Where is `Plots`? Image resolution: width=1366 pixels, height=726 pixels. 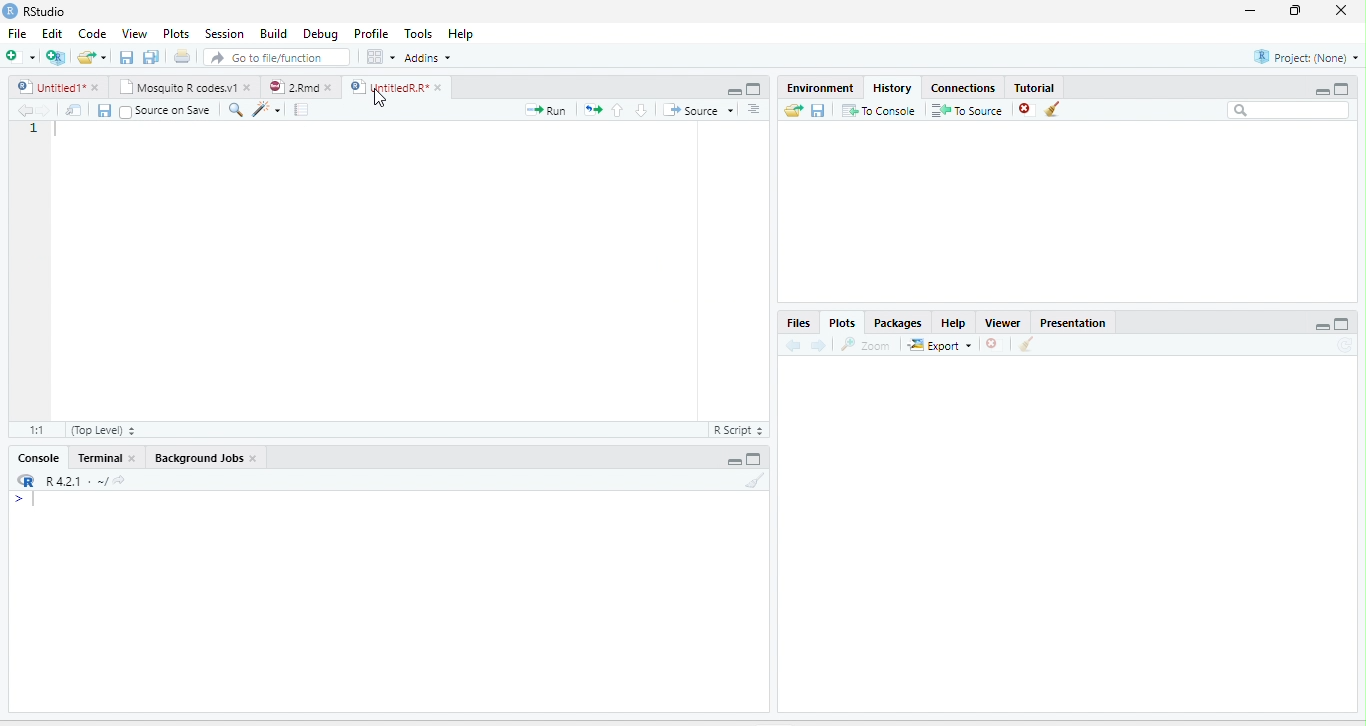 Plots is located at coordinates (176, 33).